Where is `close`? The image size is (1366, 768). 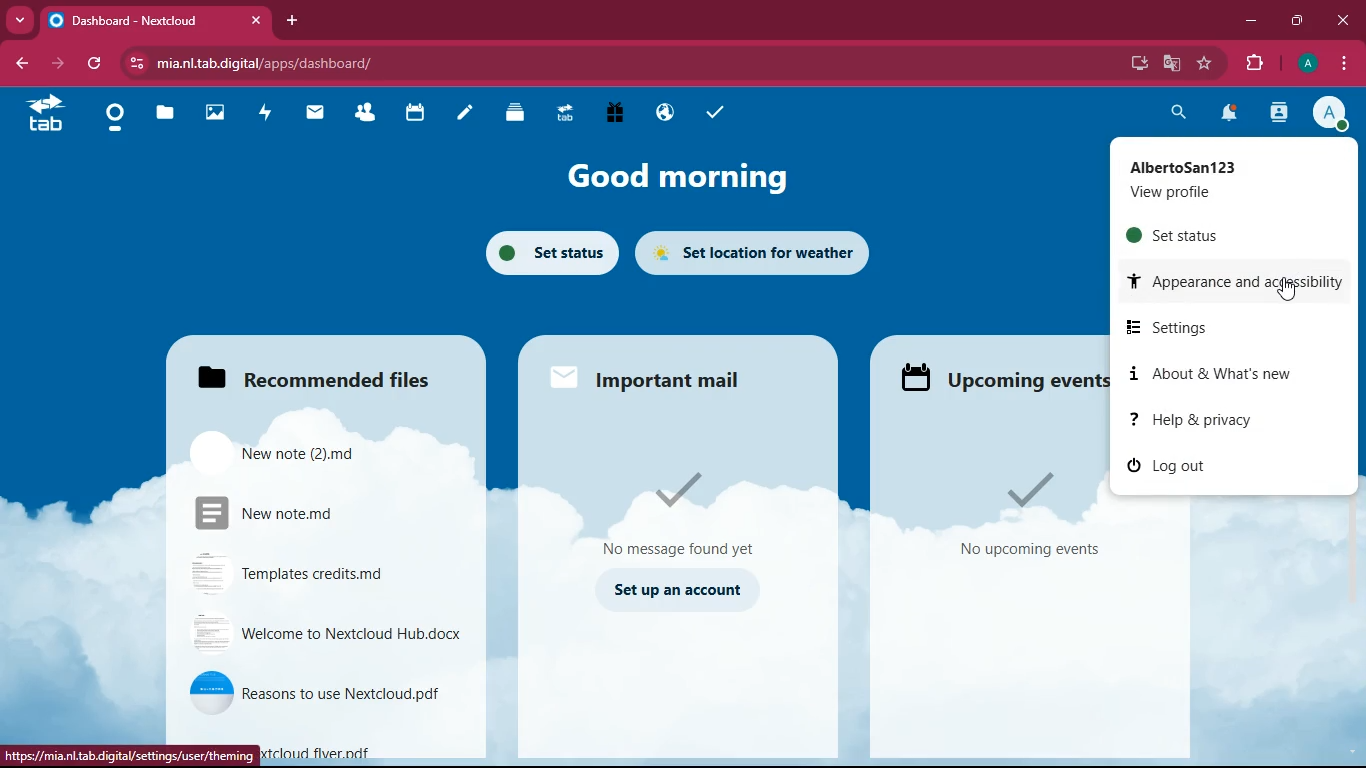
close is located at coordinates (1342, 19).